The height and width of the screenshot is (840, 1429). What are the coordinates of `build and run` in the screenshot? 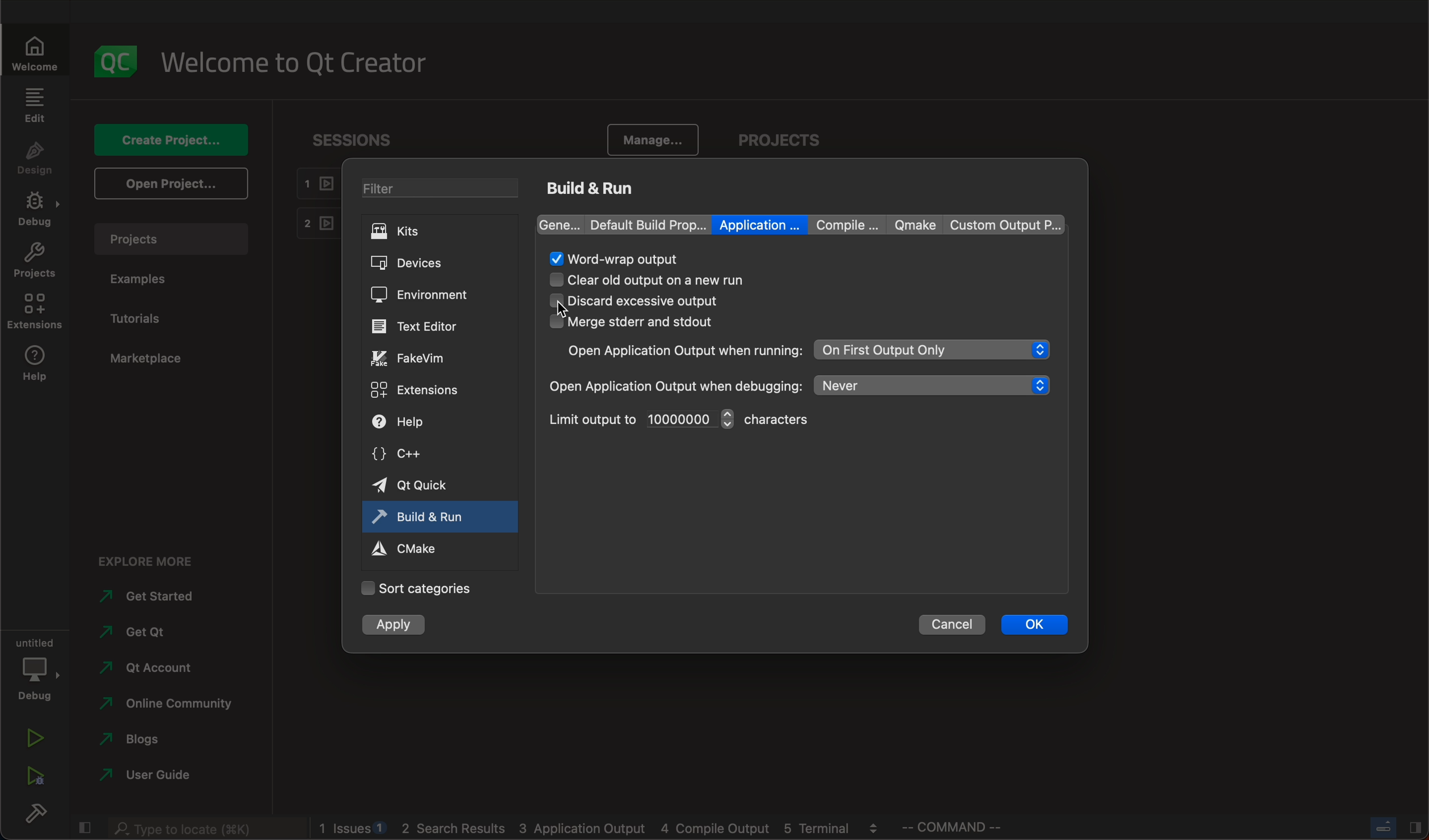 It's located at (422, 515).